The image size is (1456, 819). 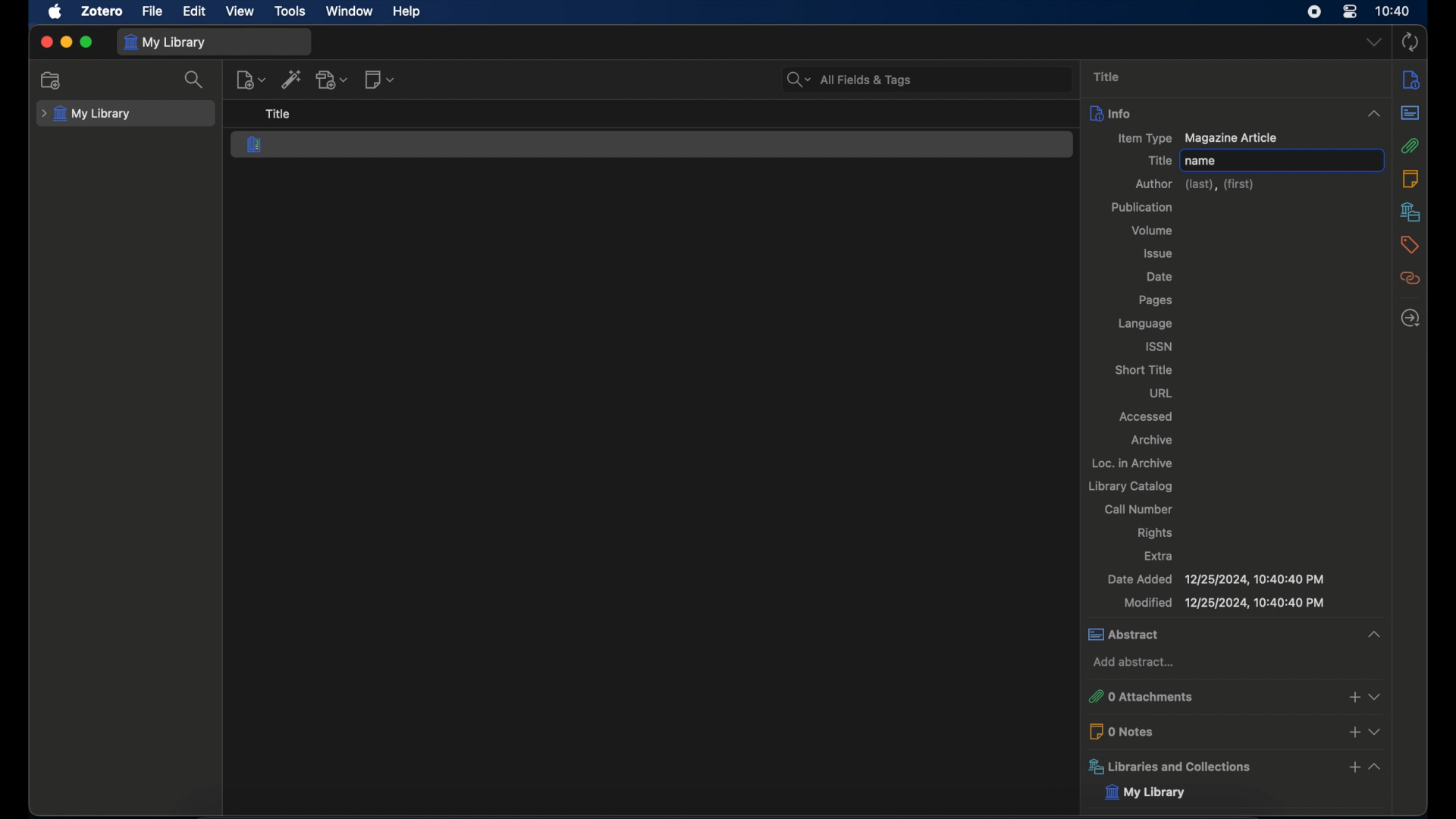 I want to click on search bar, so click(x=849, y=80).